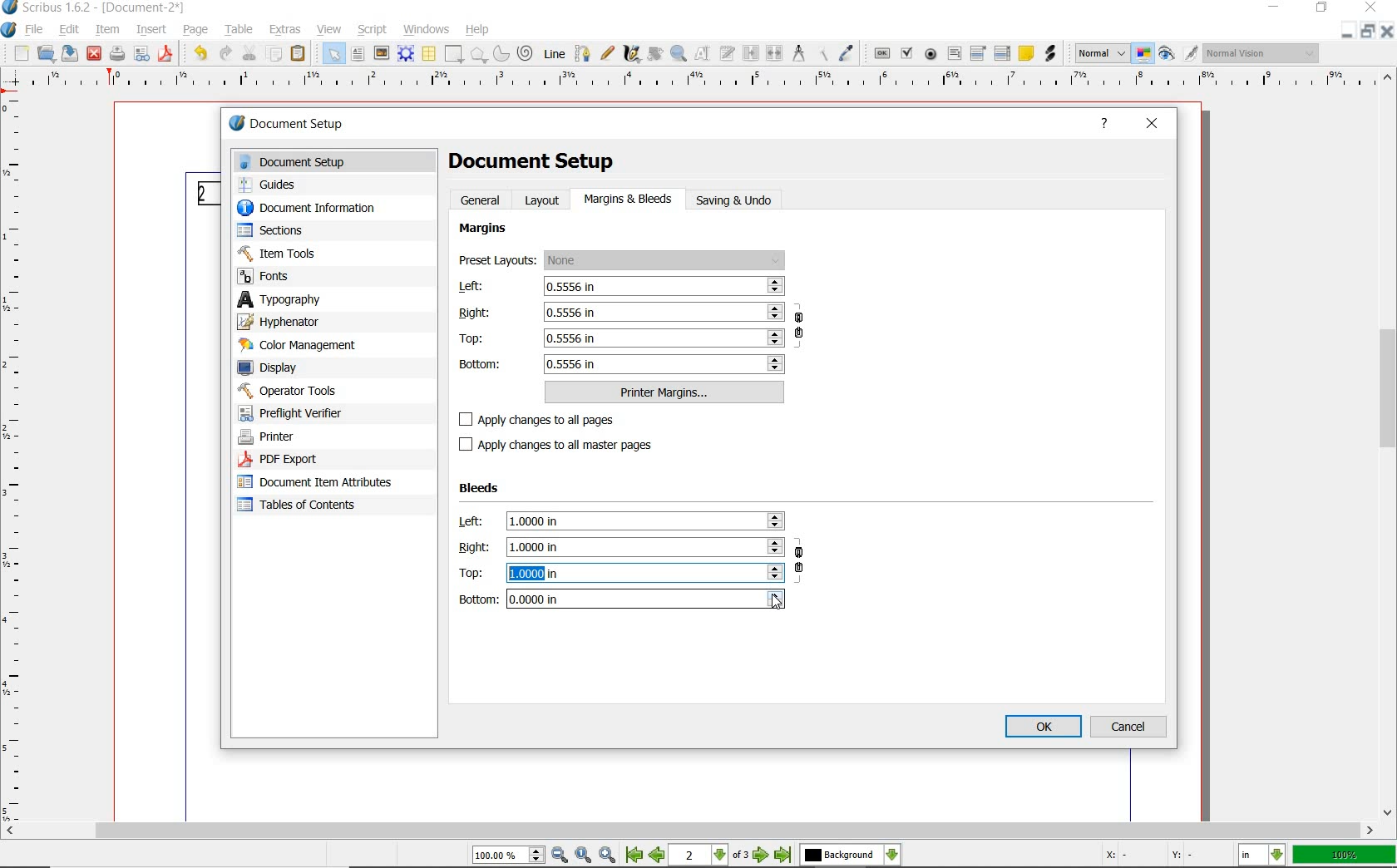  What do you see at coordinates (478, 55) in the screenshot?
I see `polygon` at bounding box center [478, 55].